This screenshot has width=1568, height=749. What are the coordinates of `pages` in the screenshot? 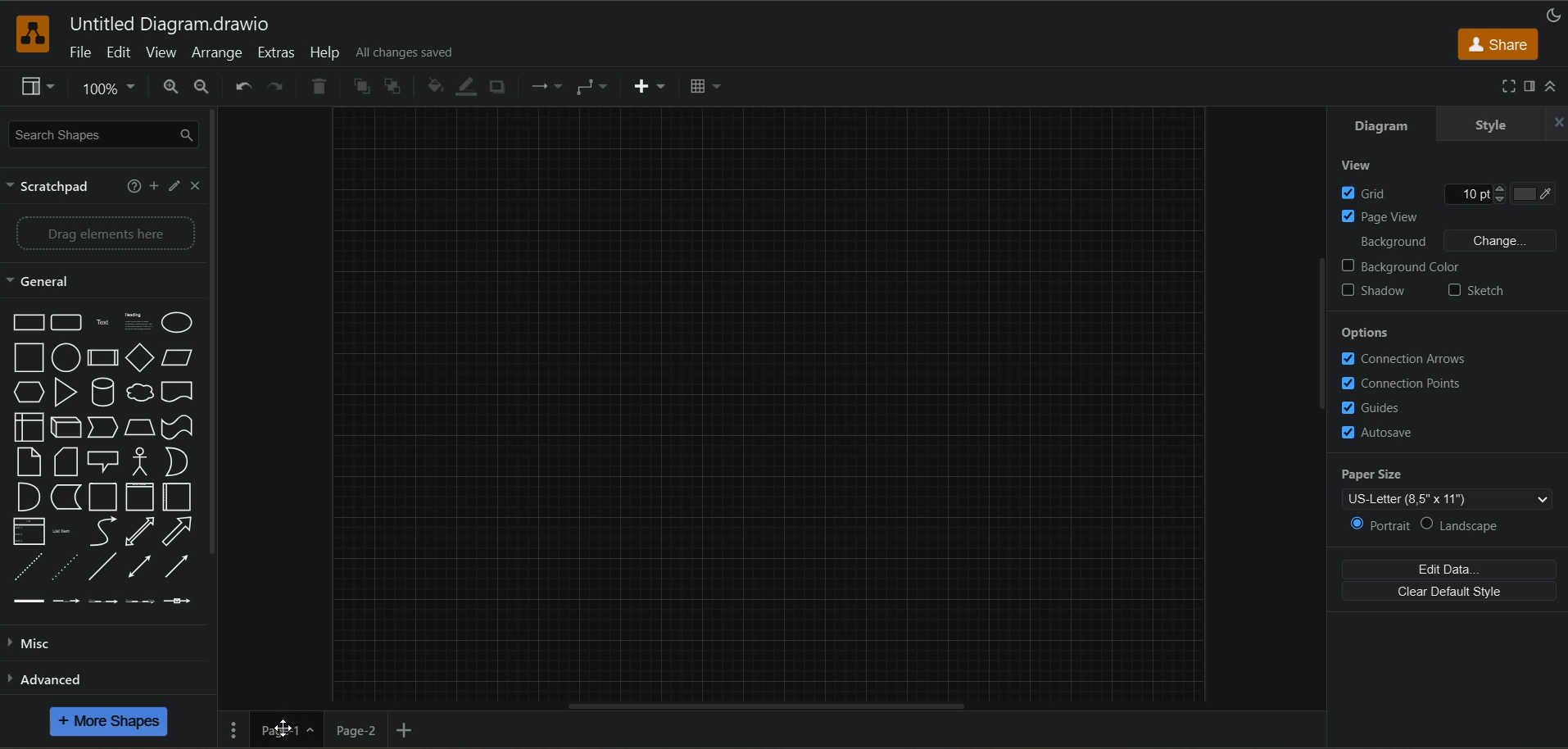 It's located at (233, 729).